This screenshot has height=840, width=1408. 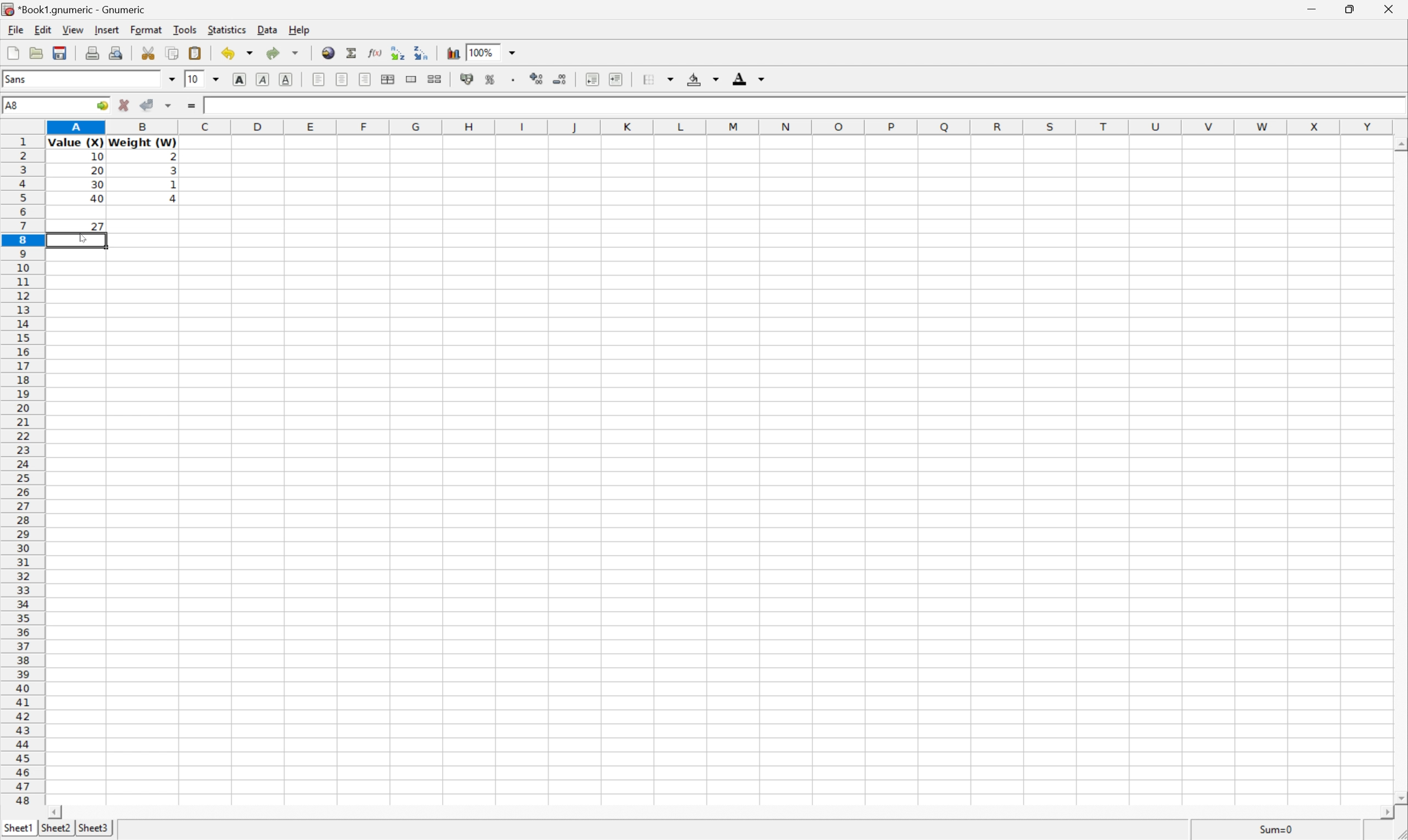 I want to click on Weight (W), so click(x=143, y=142).